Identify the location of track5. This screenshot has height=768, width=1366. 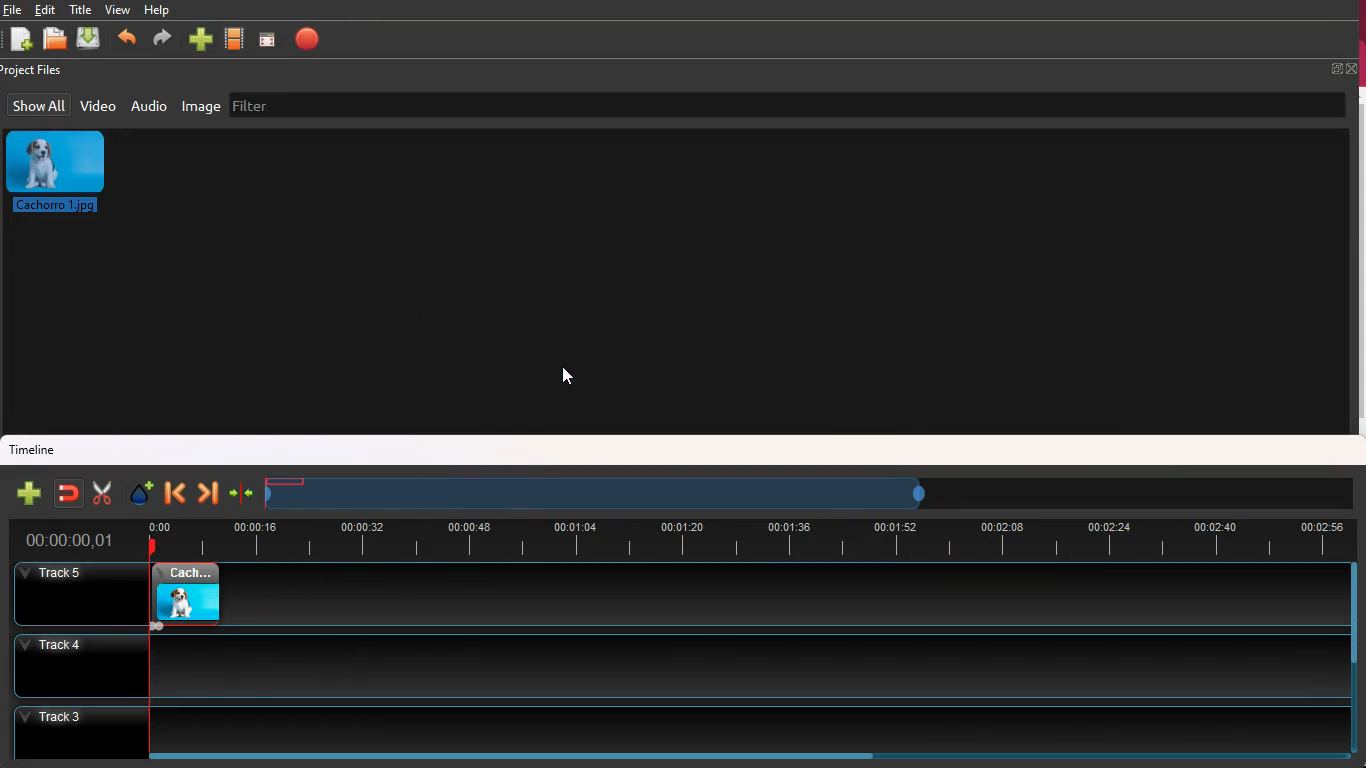
(657, 594).